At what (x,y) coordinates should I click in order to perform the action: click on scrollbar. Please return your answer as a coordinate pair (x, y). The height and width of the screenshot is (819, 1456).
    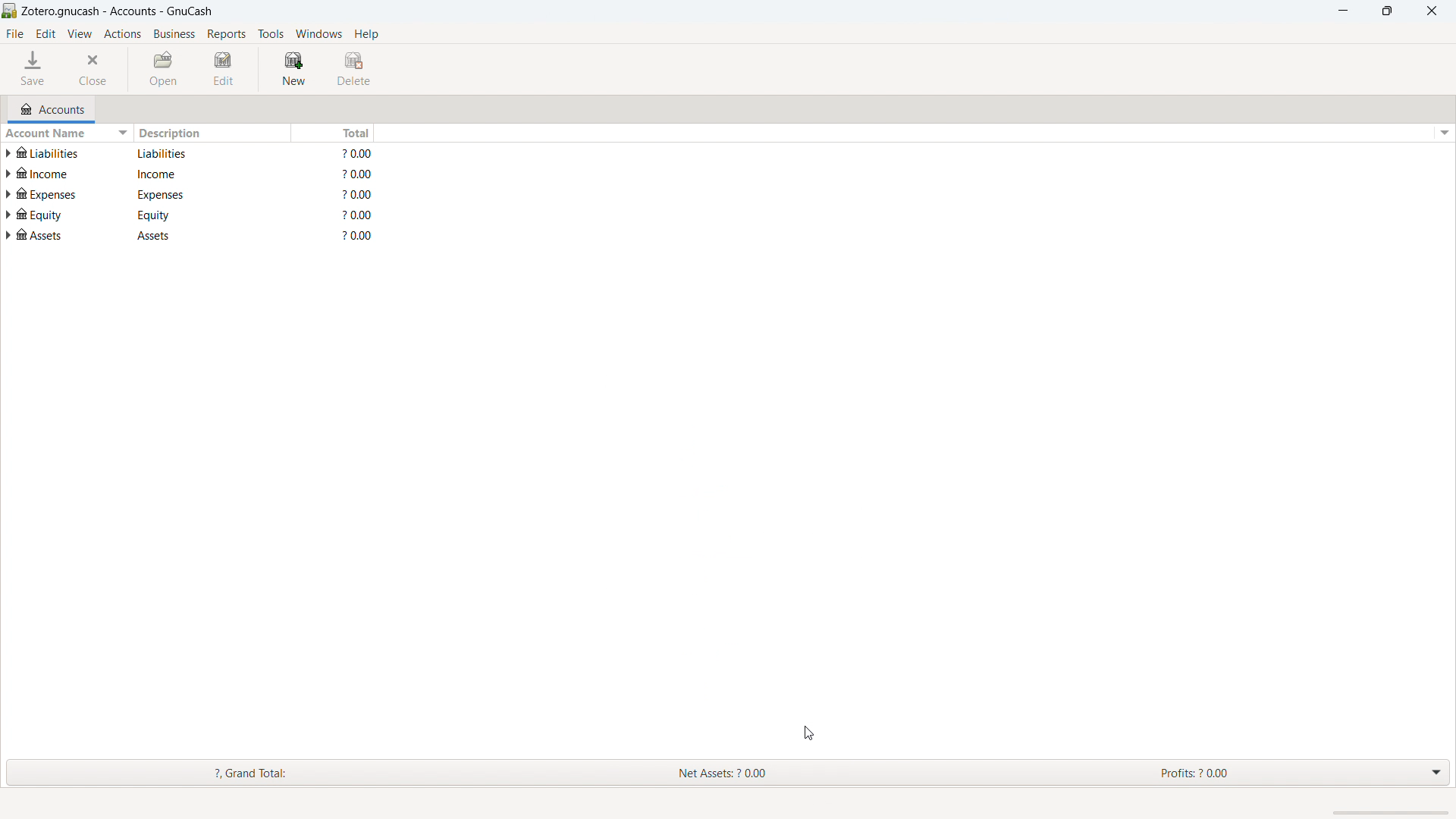
    Looking at the image, I should click on (1394, 813).